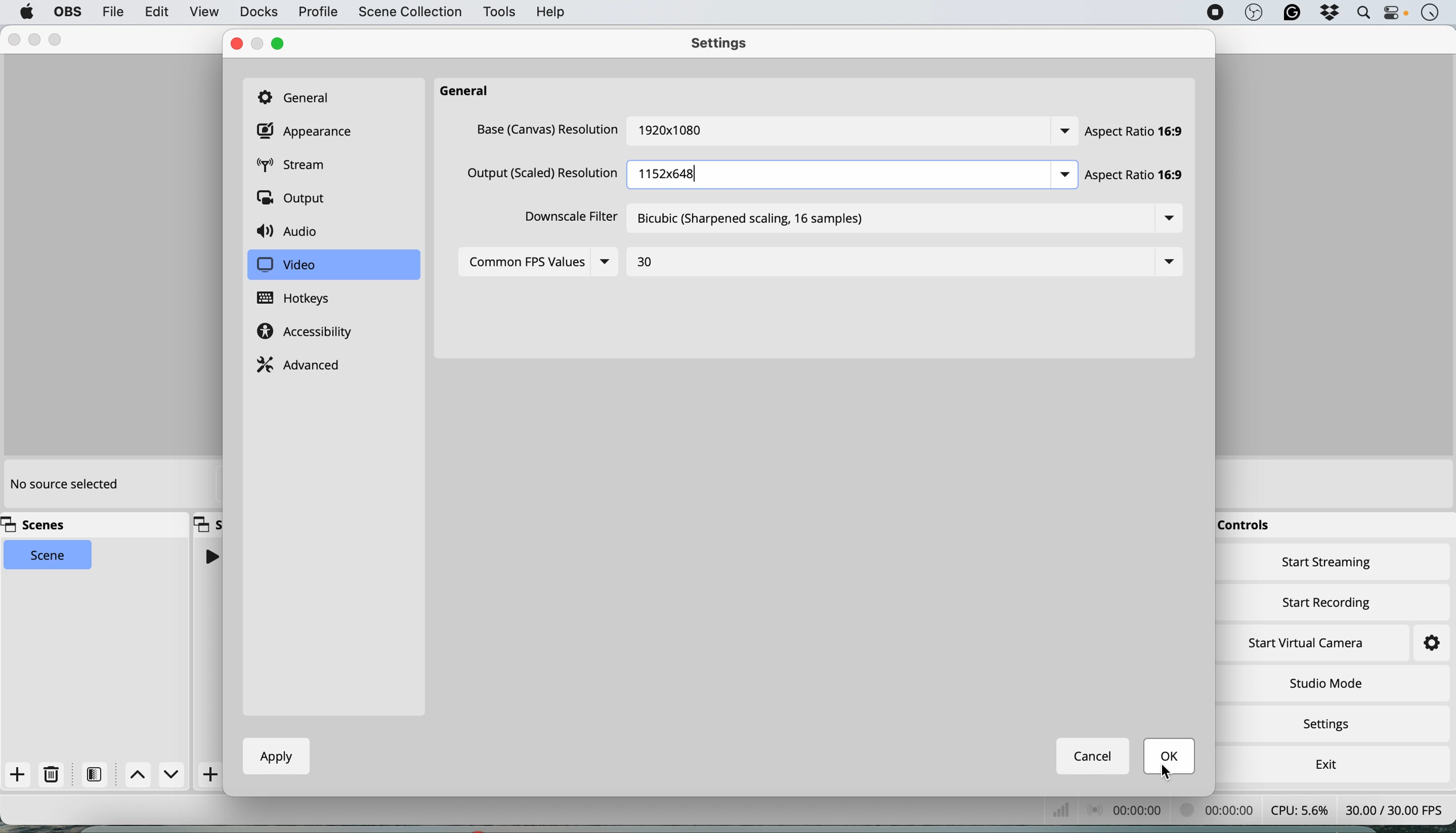 This screenshot has width=1456, height=833. I want to click on exit, so click(1323, 761).